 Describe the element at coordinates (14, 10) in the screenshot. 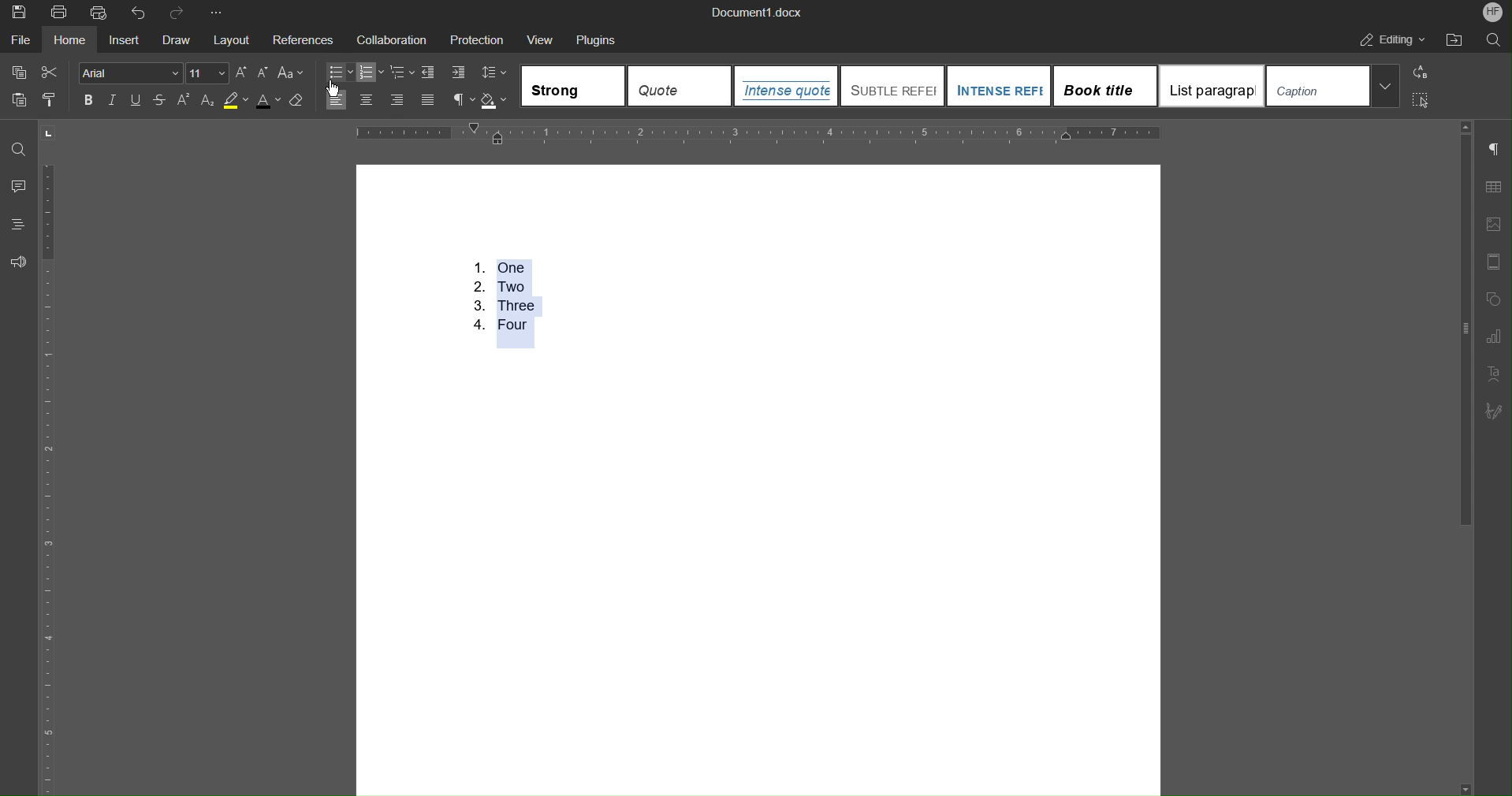

I see `Save` at that location.